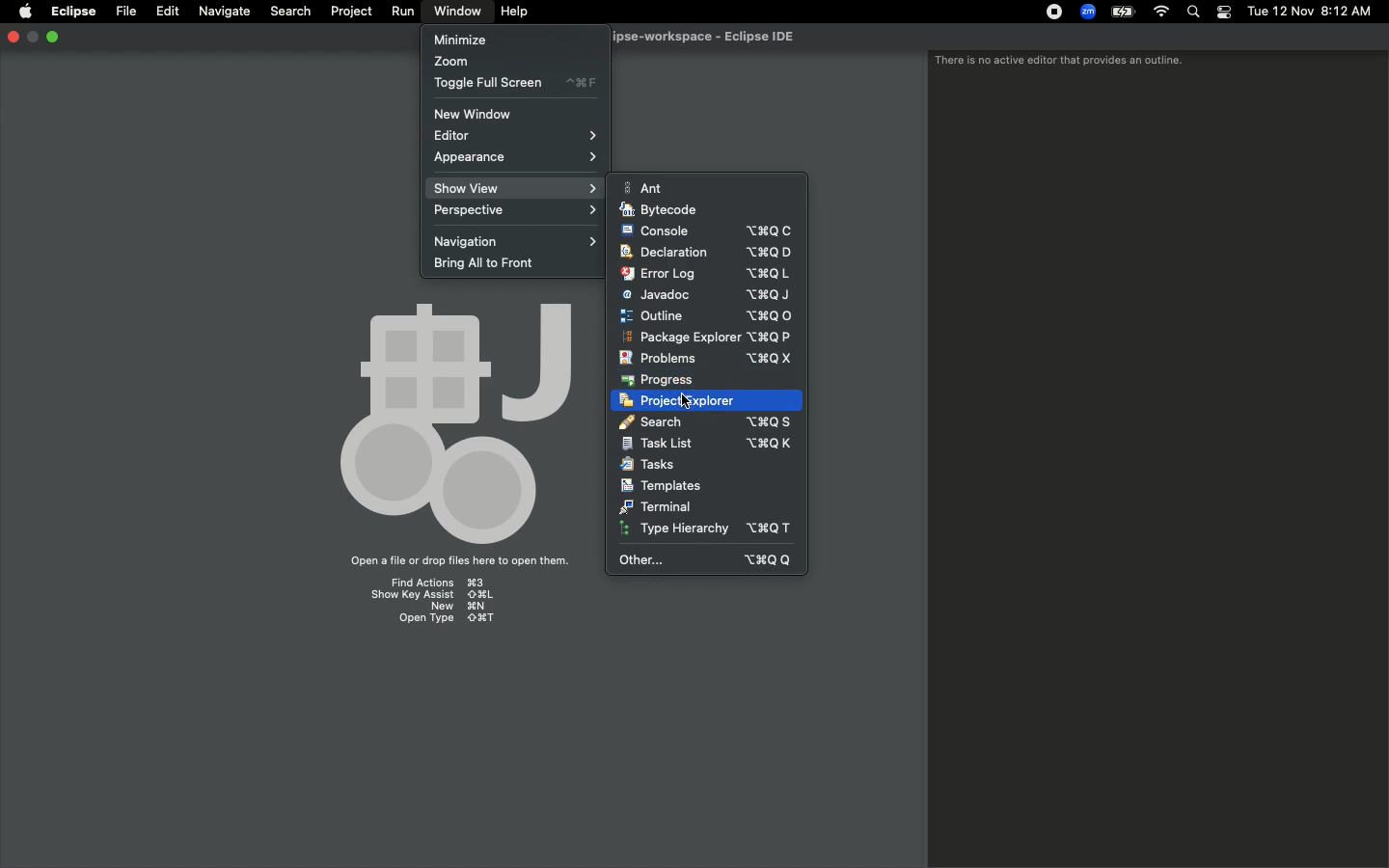  Describe the element at coordinates (702, 337) in the screenshot. I see `Package explorer` at that location.